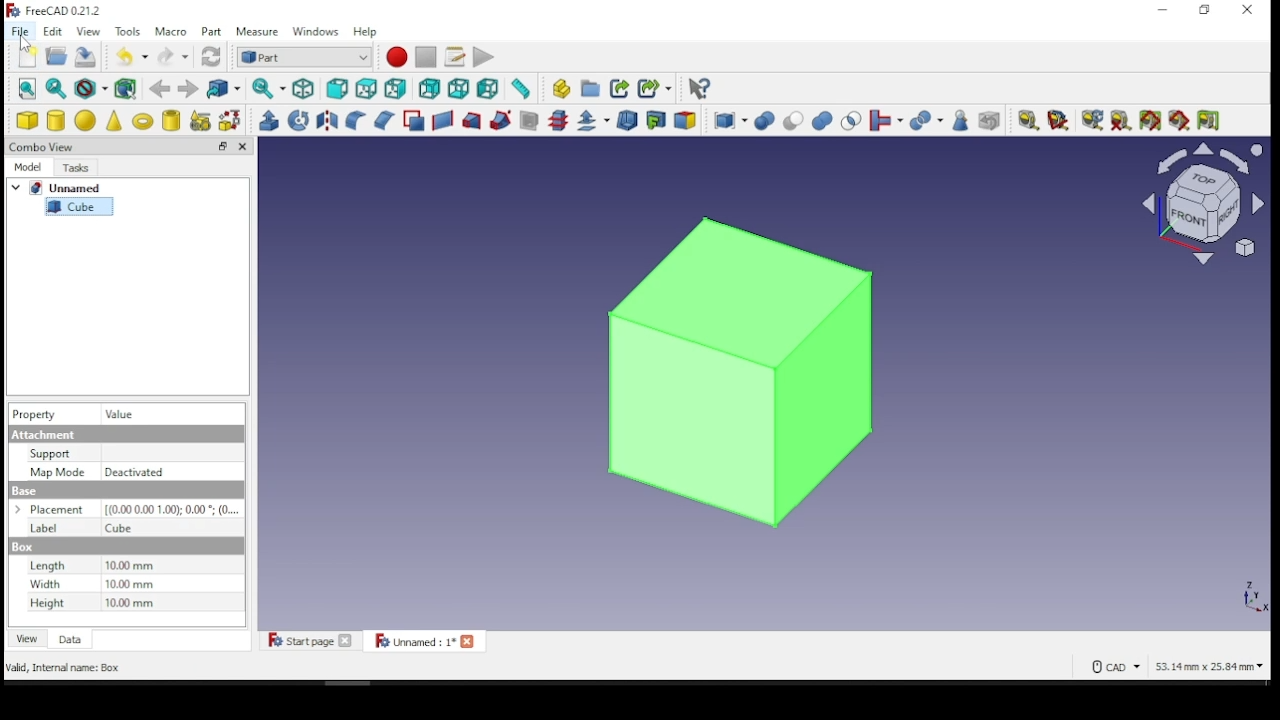 The image size is (1280, 720). Describe the element at coordinates (44, 146) in the screenshot. I see `combo view` at that location.